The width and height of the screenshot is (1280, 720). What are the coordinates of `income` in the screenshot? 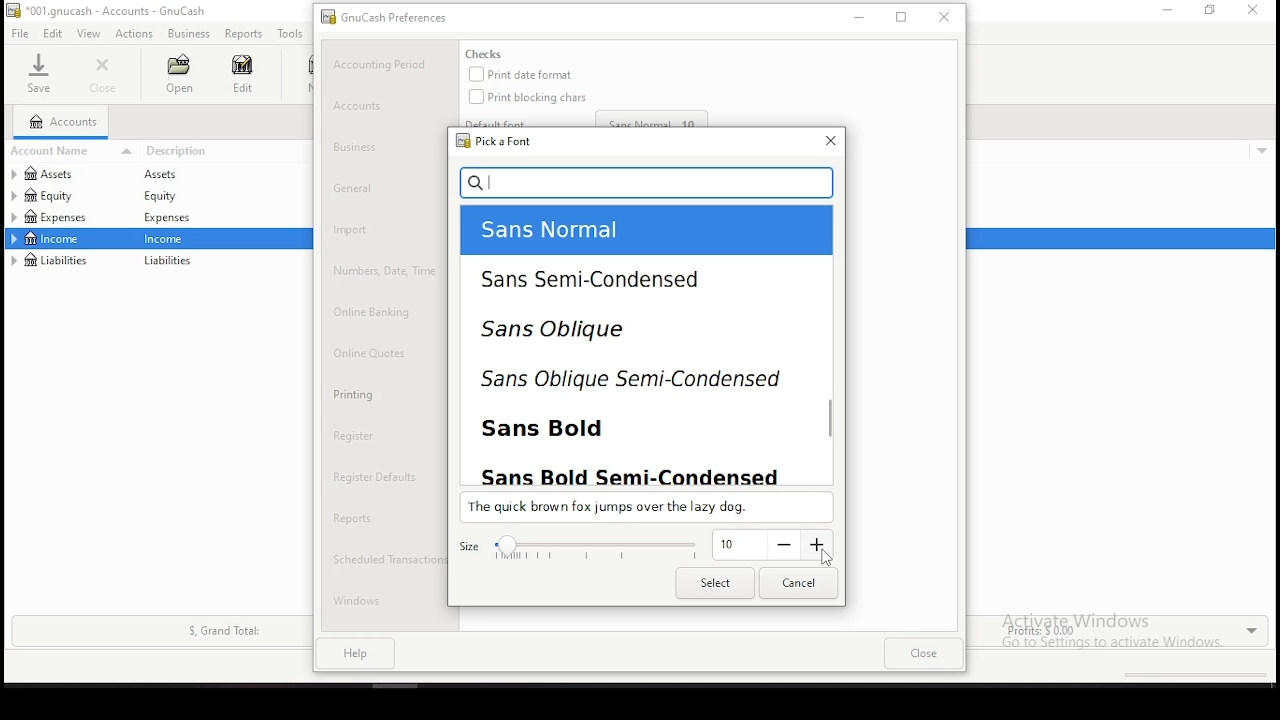 It's located at (54, 238).